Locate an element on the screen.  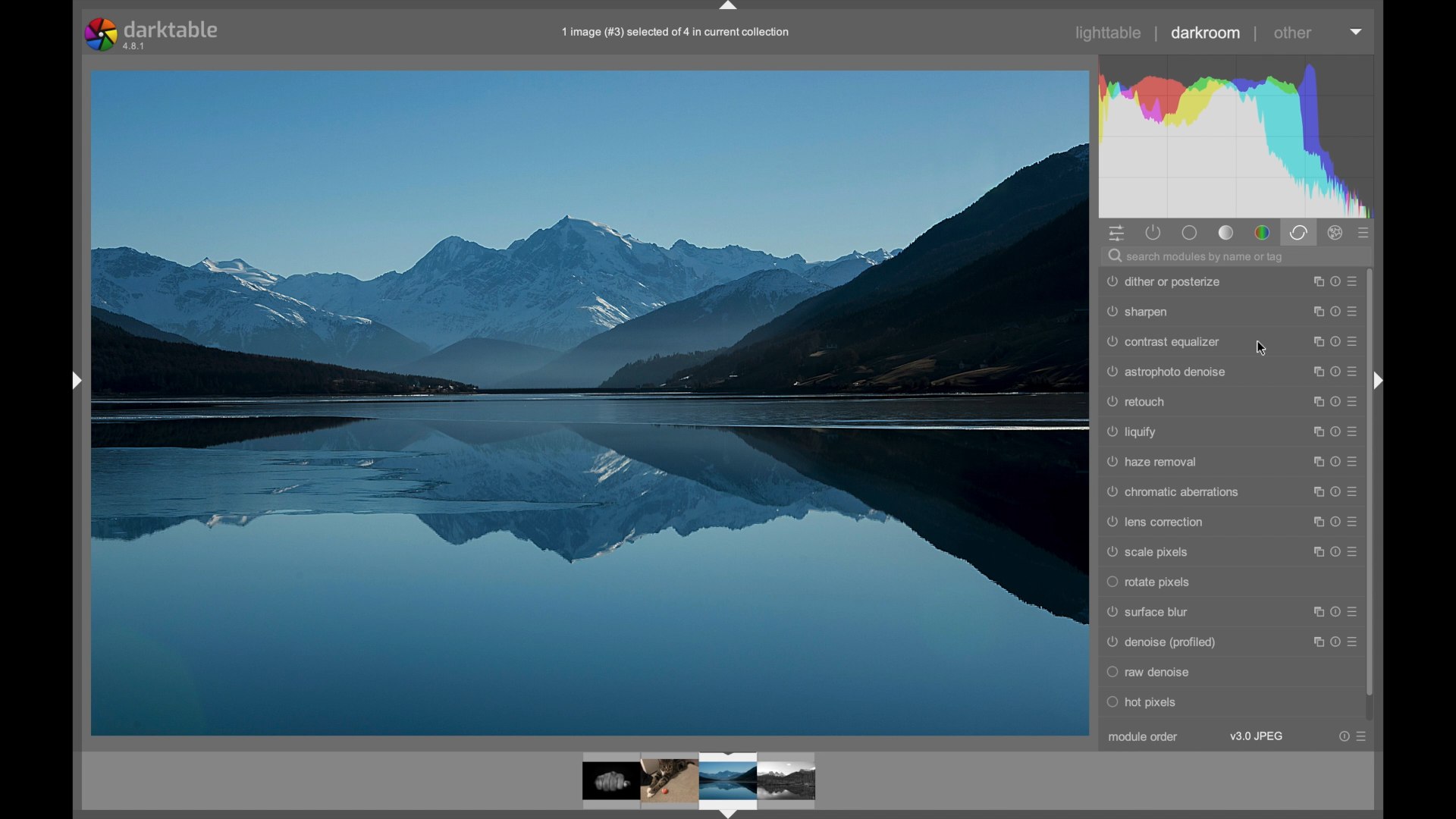
cursor is located at coordinates (1263, 348).